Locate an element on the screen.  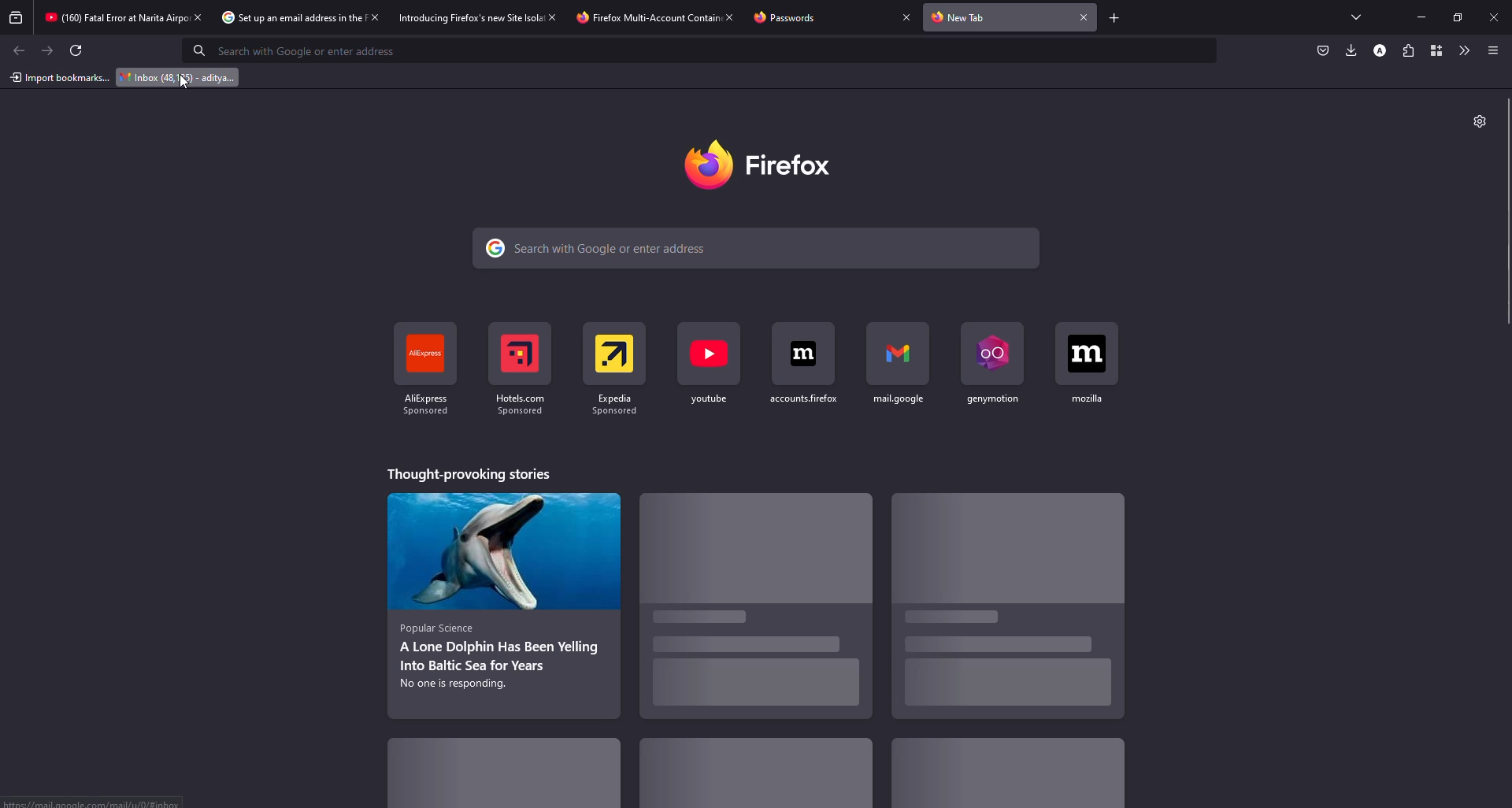
stories is located at coordinates (749, 658).